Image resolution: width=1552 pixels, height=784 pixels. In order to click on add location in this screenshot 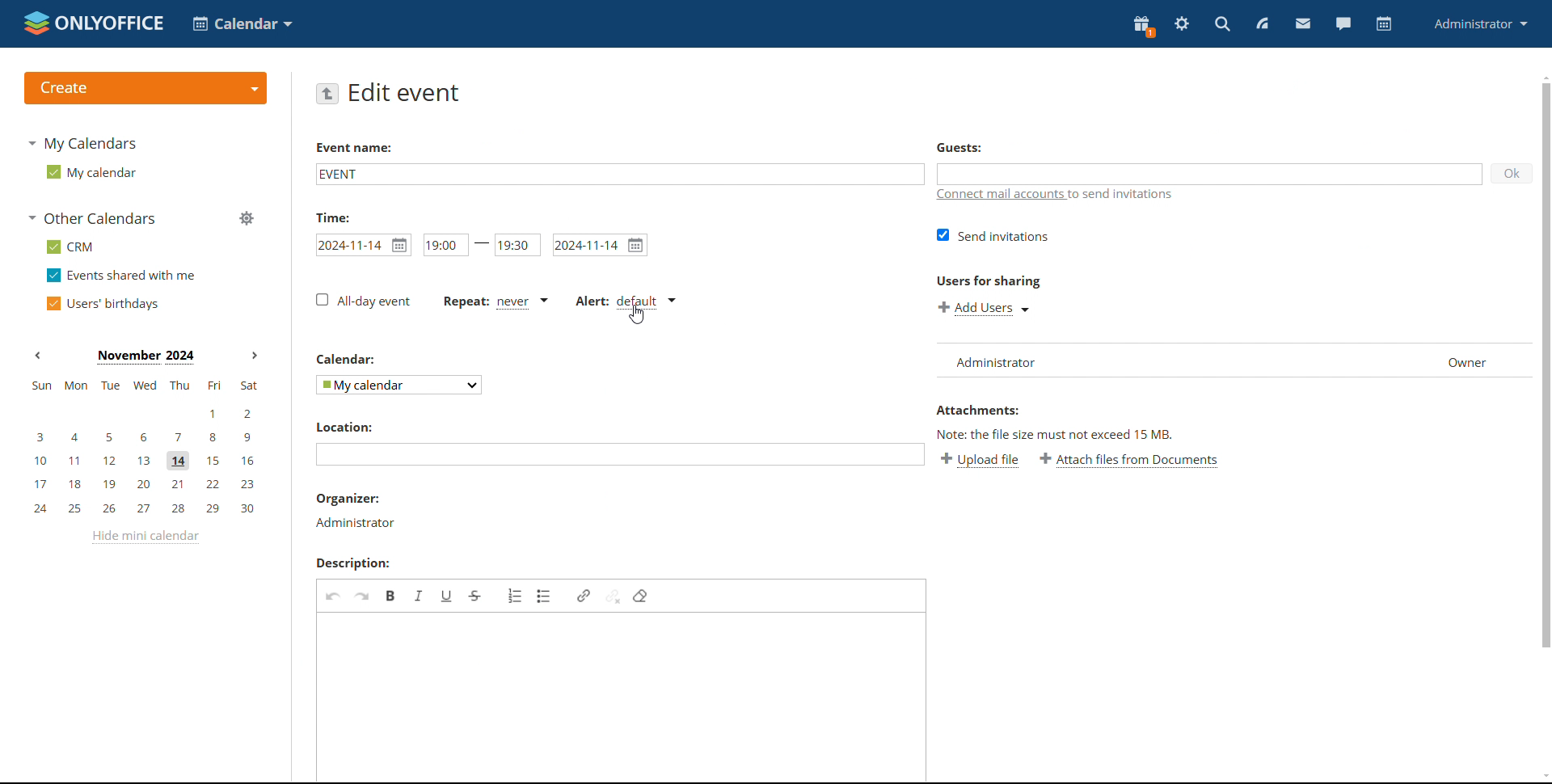, I will do `click(620, 455)`.